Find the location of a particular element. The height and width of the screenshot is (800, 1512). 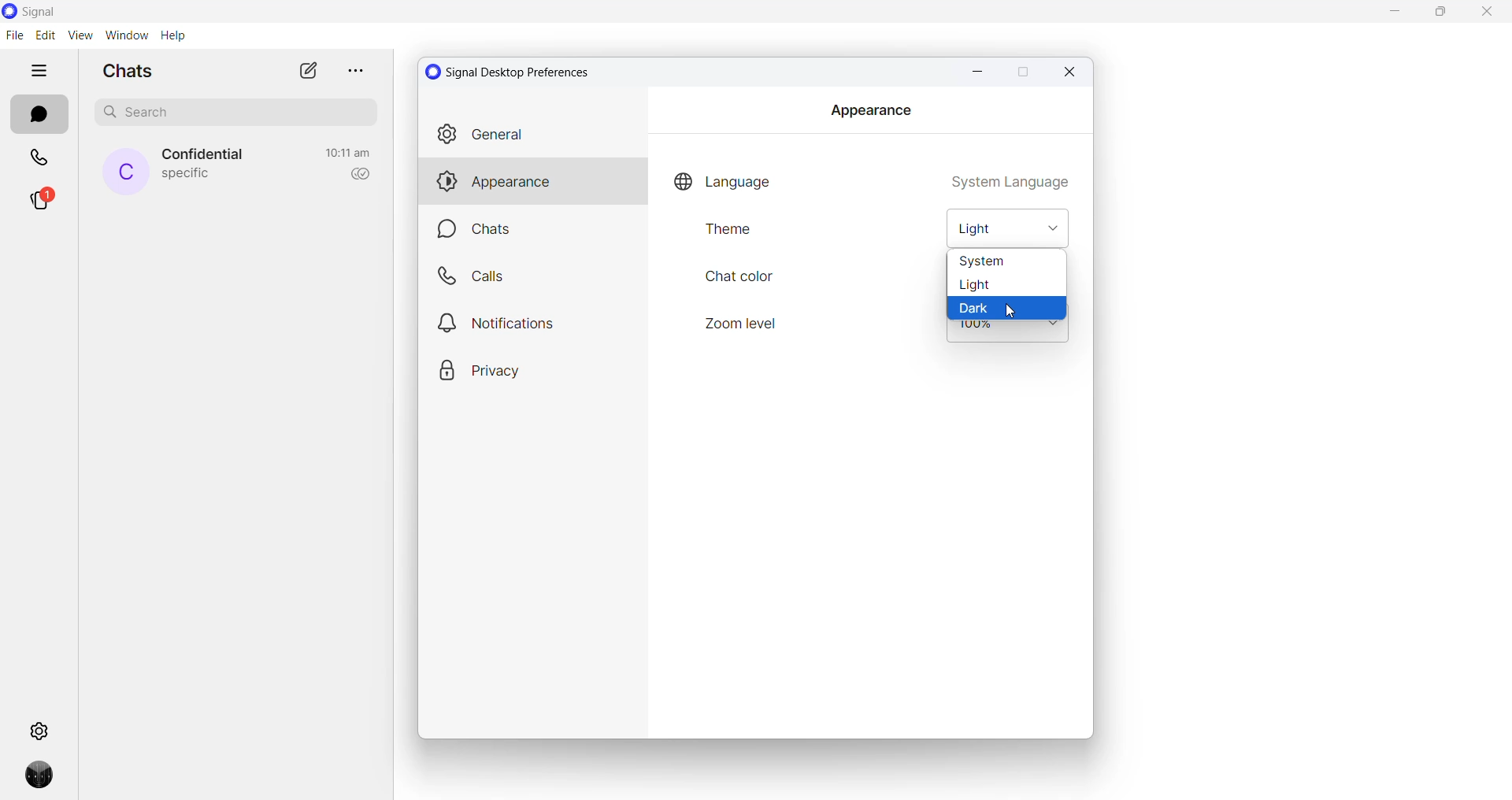

privacy is located at coordinates (526, 369).